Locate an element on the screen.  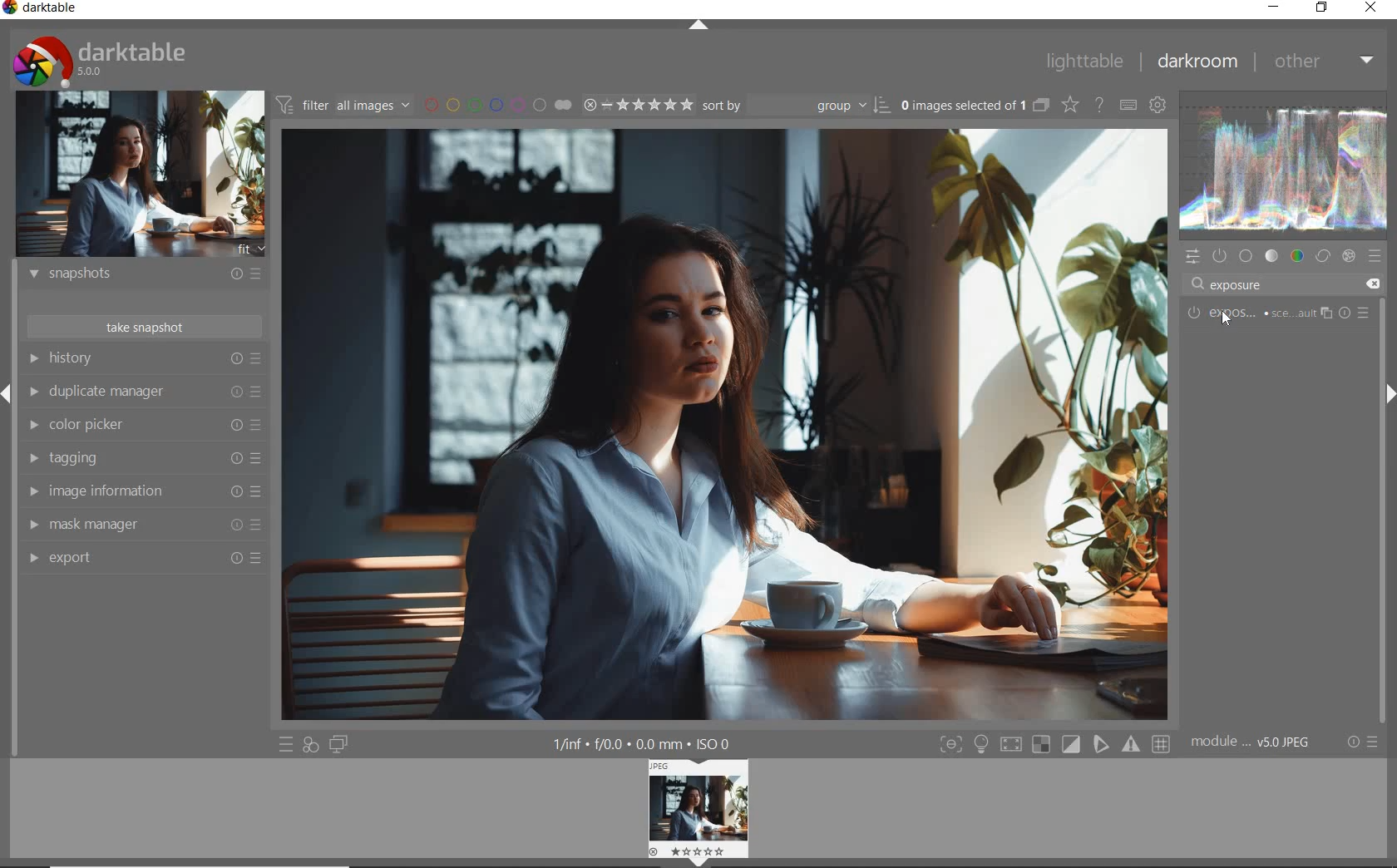
image information is located at coordinates (146, 490).